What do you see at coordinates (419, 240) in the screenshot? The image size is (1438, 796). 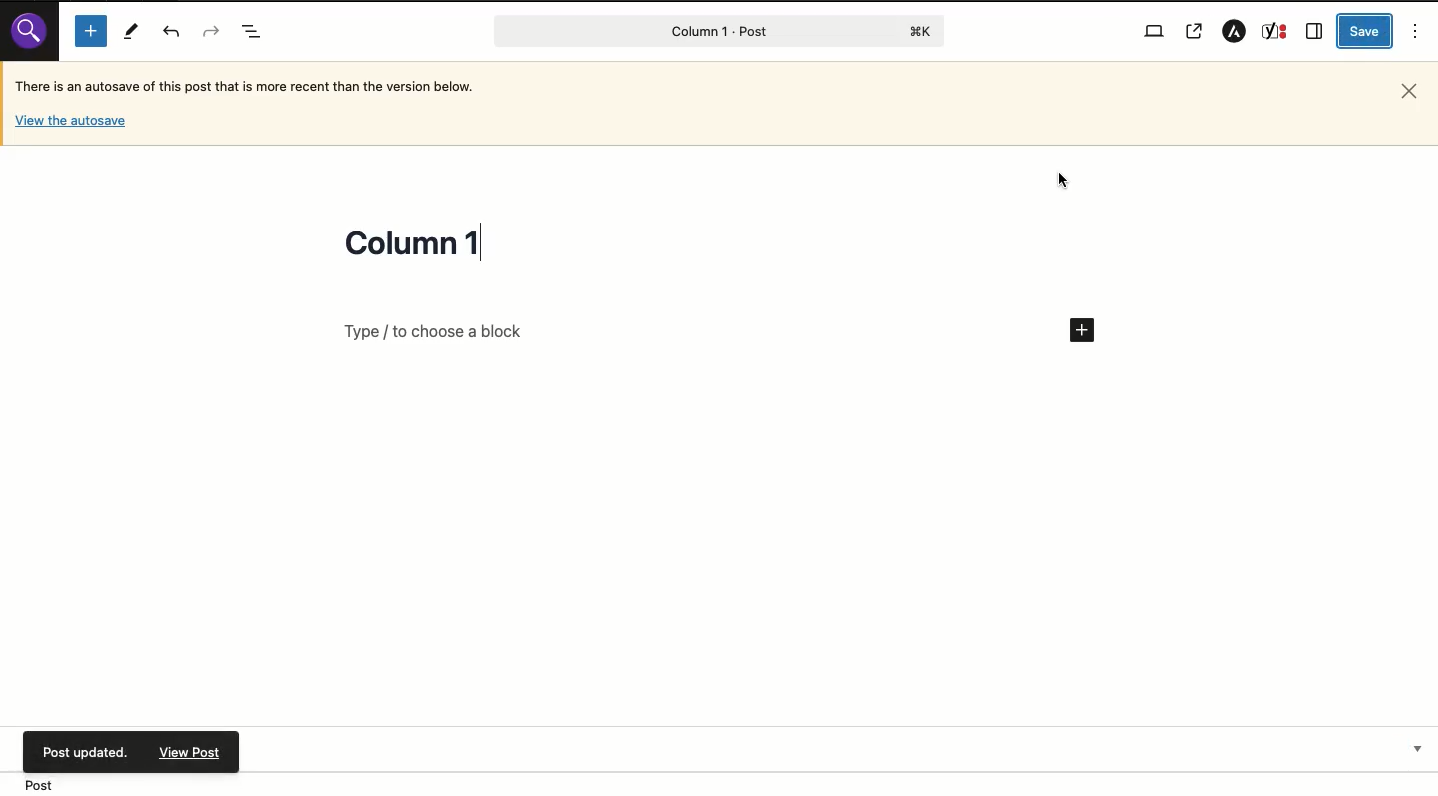 I see ` Change` at bounding box center [419, 240].